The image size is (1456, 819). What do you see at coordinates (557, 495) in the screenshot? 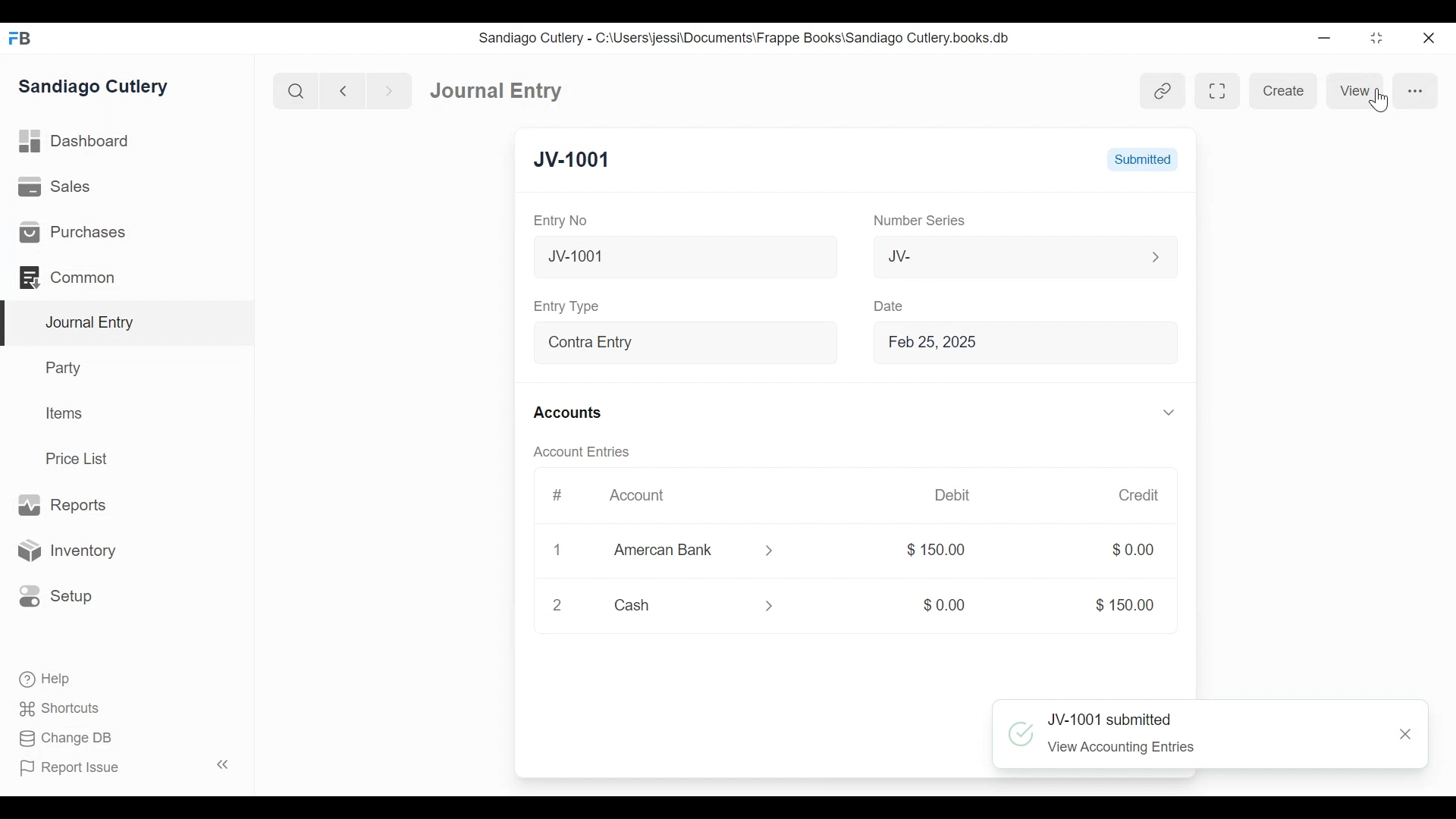
I see `#` at bounding box center [557, 495].